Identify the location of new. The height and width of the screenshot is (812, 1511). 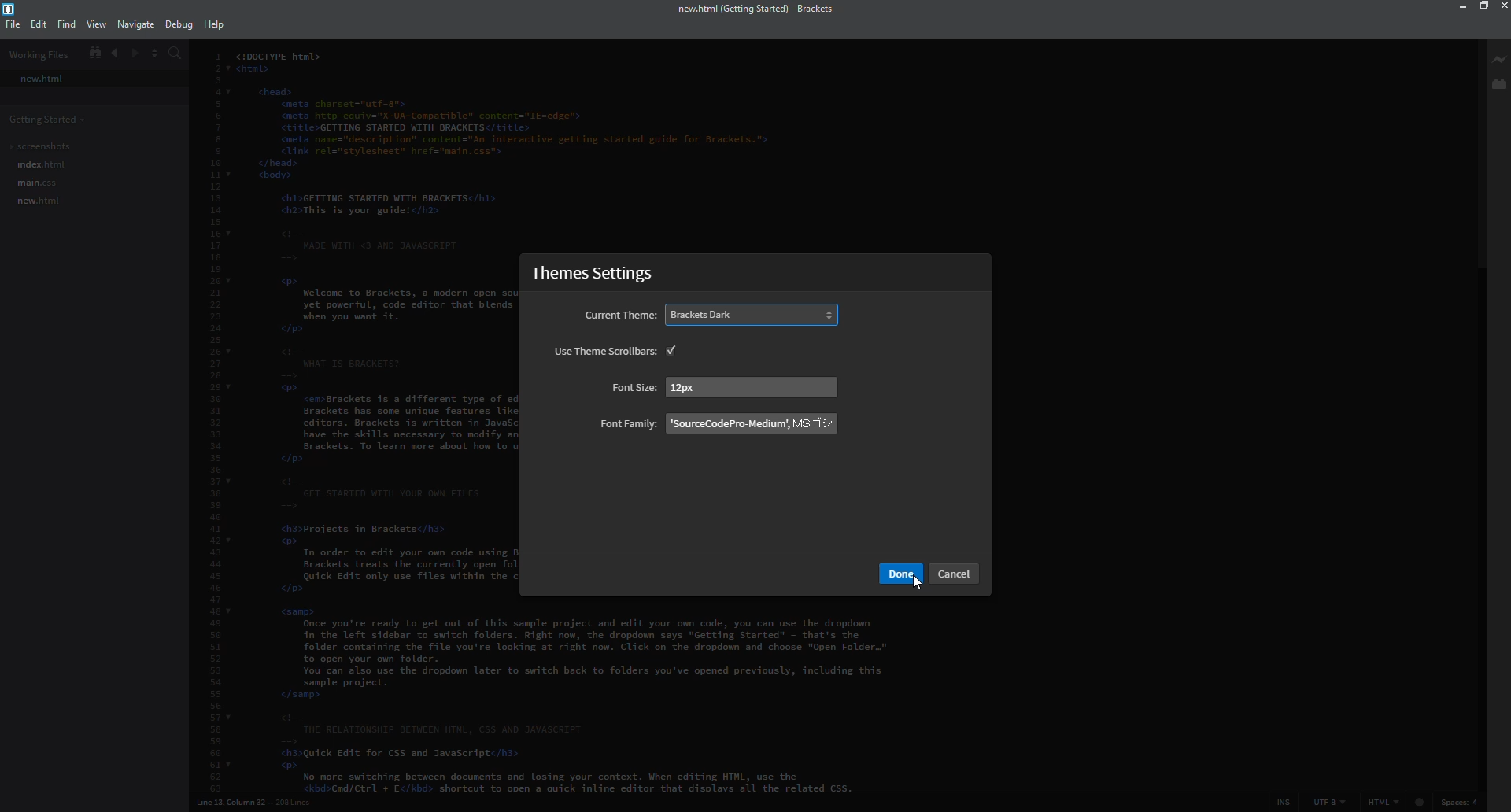
(36, 201).